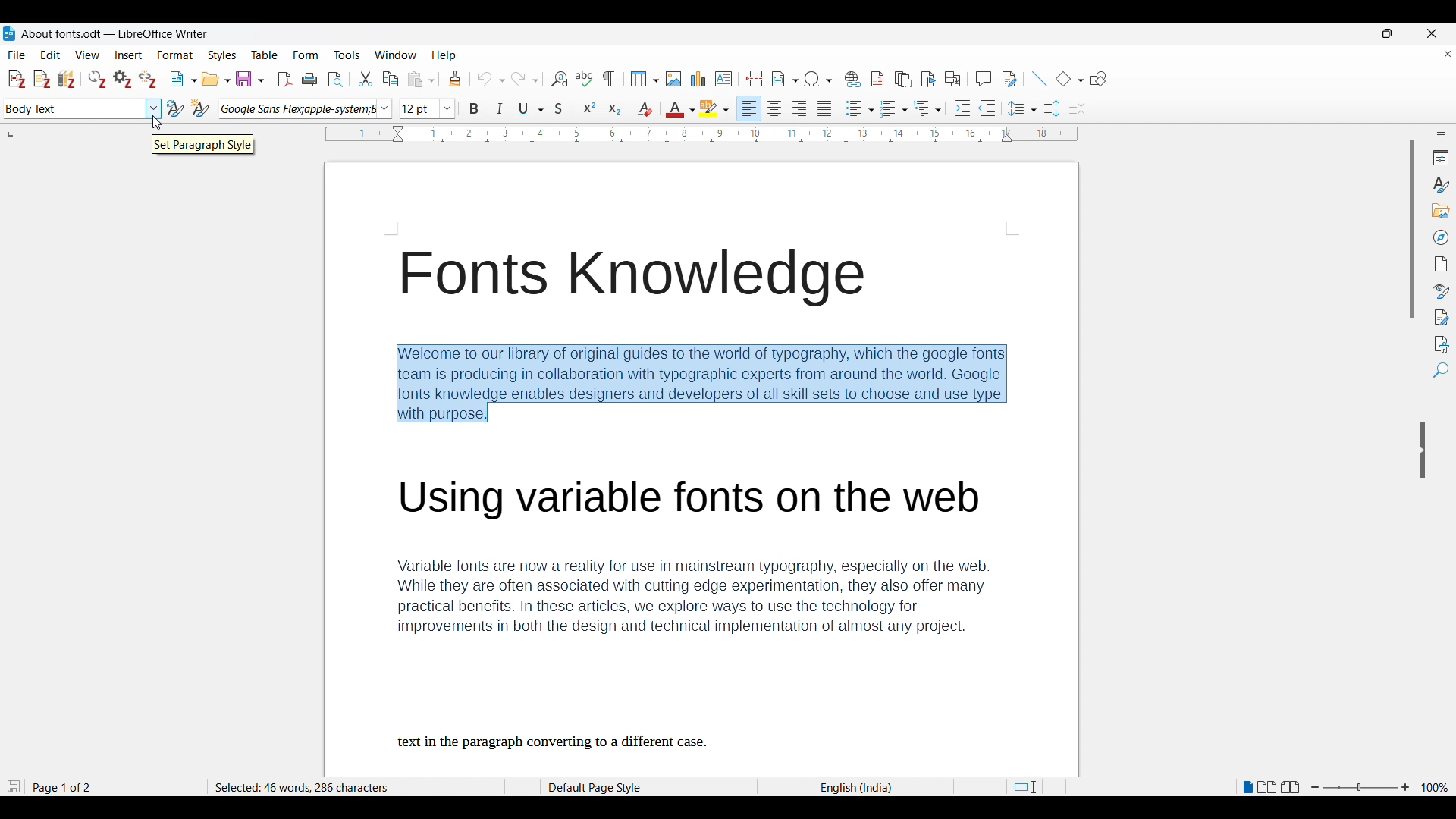 The height and width of the screenshot is (819, 1456). Describe the element at coordinates (559, 108) in the screenshot. I see `Strike through ` at that location.